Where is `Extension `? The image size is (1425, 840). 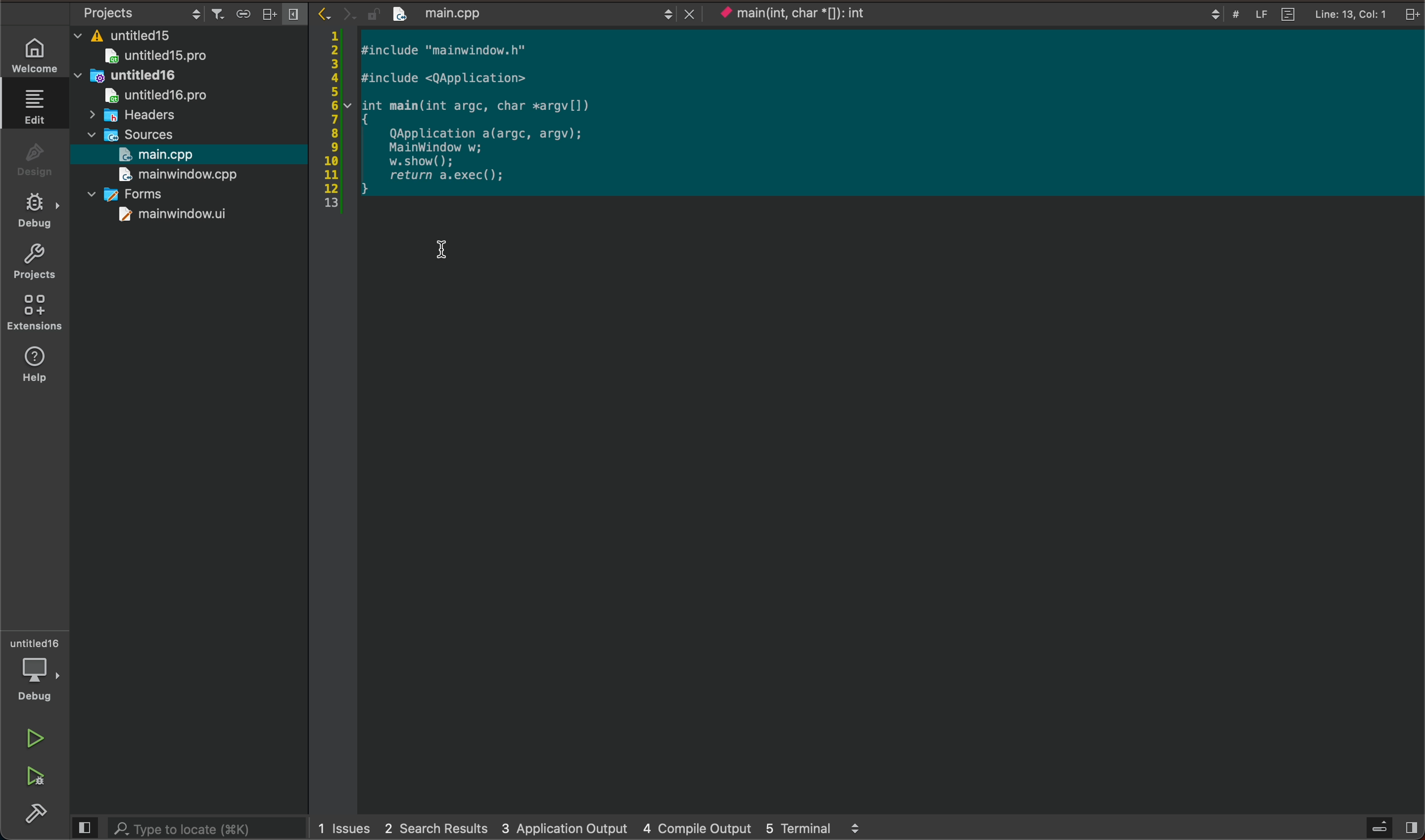 Extension  is located at coordinates (38, 314).